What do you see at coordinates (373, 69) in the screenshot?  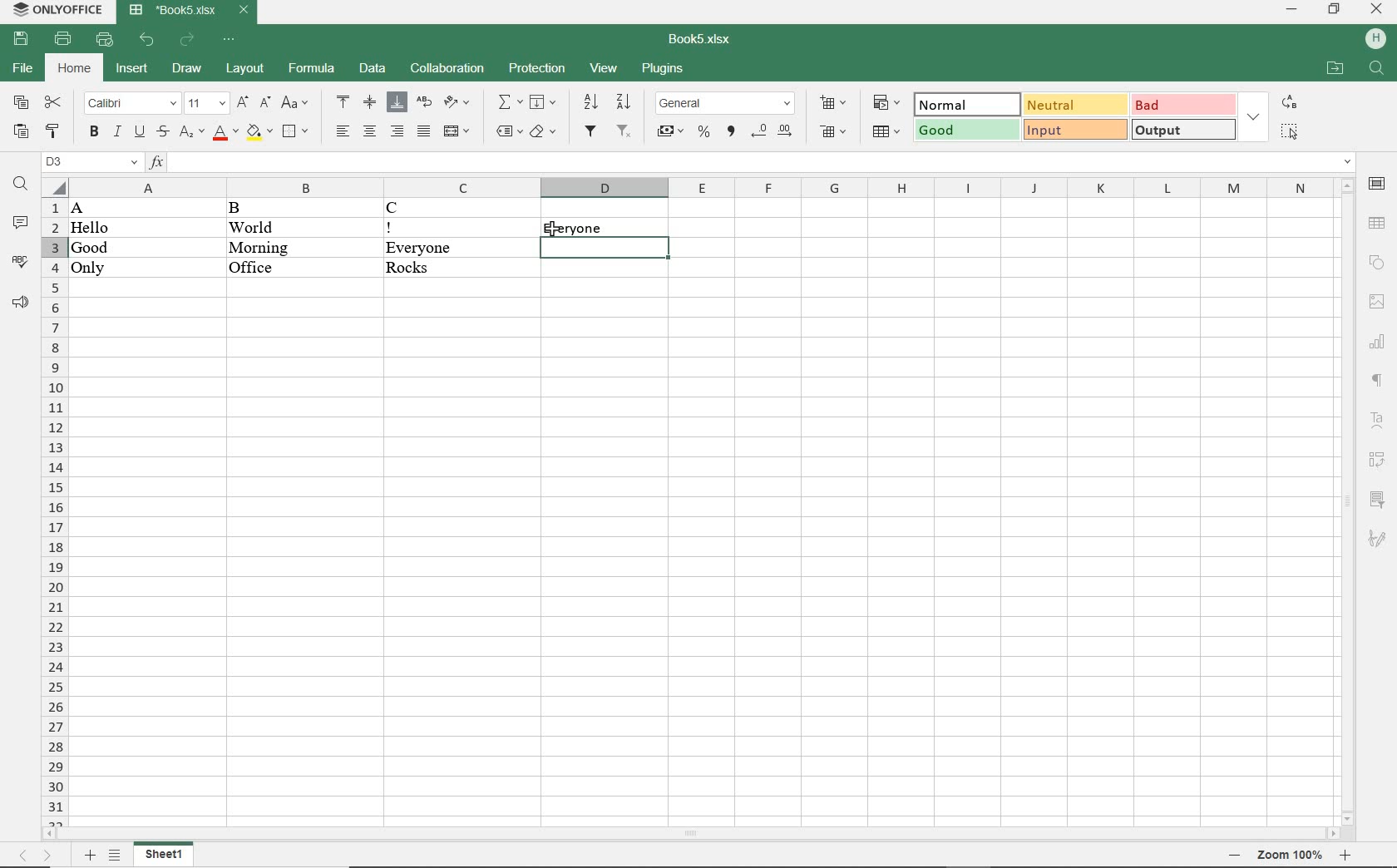 I see `data` at bounding box center [373, 69].